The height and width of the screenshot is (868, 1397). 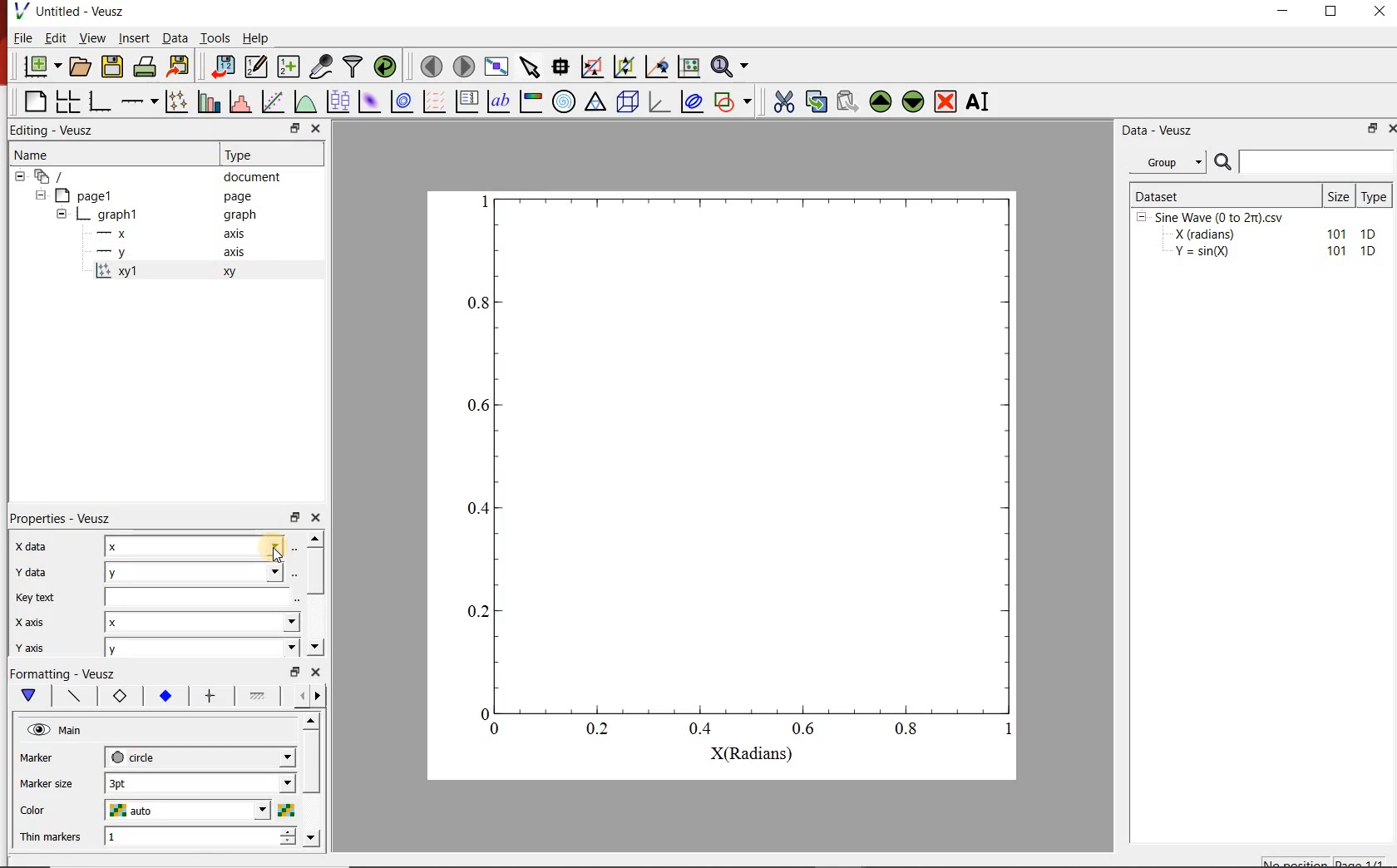 What do you see at coordinates (174, 37) in the screenshot?
I see `Data` at bounding box center [174, 37].